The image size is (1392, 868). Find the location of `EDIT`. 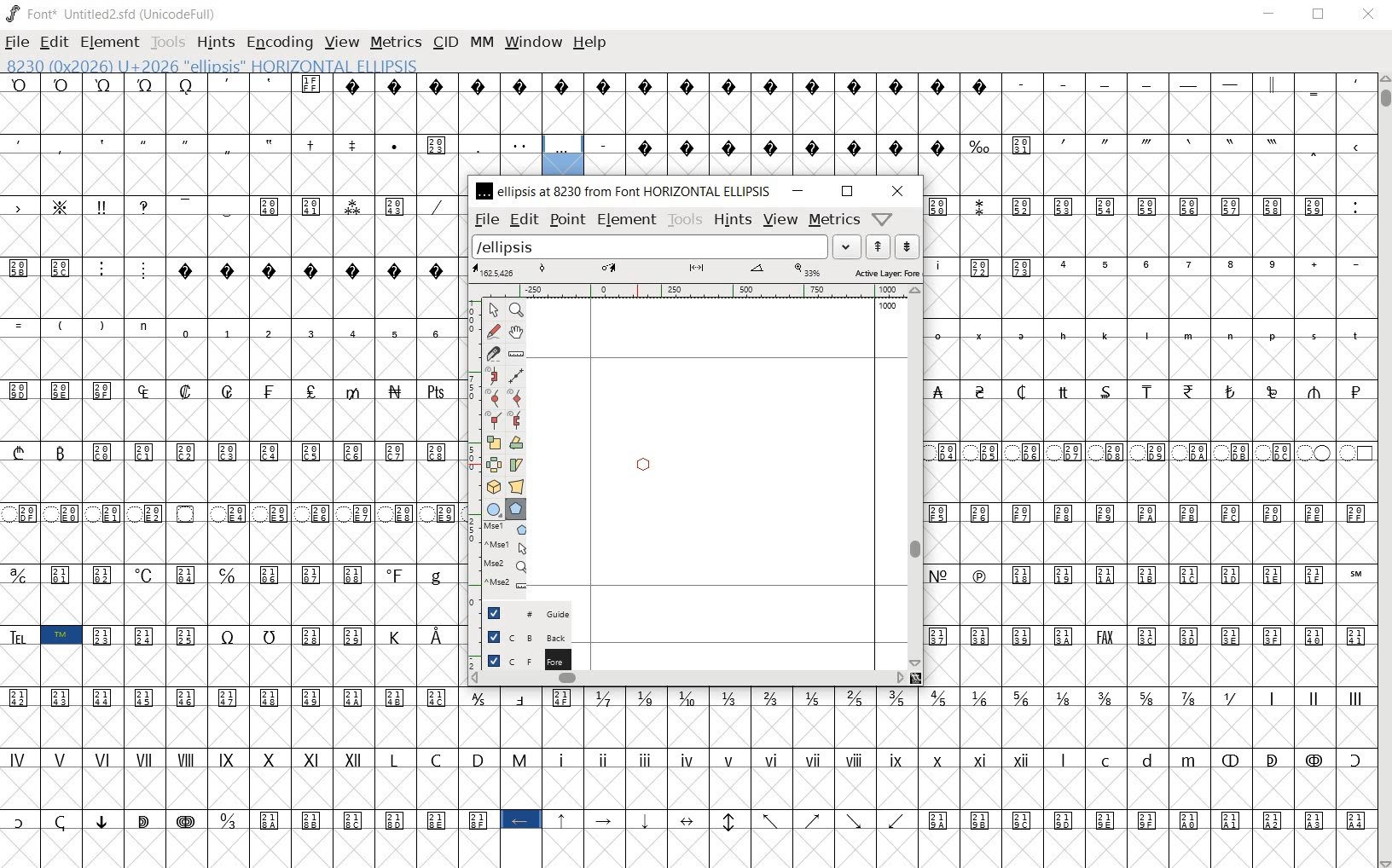

EDIT is located at coordinates (56, 42).